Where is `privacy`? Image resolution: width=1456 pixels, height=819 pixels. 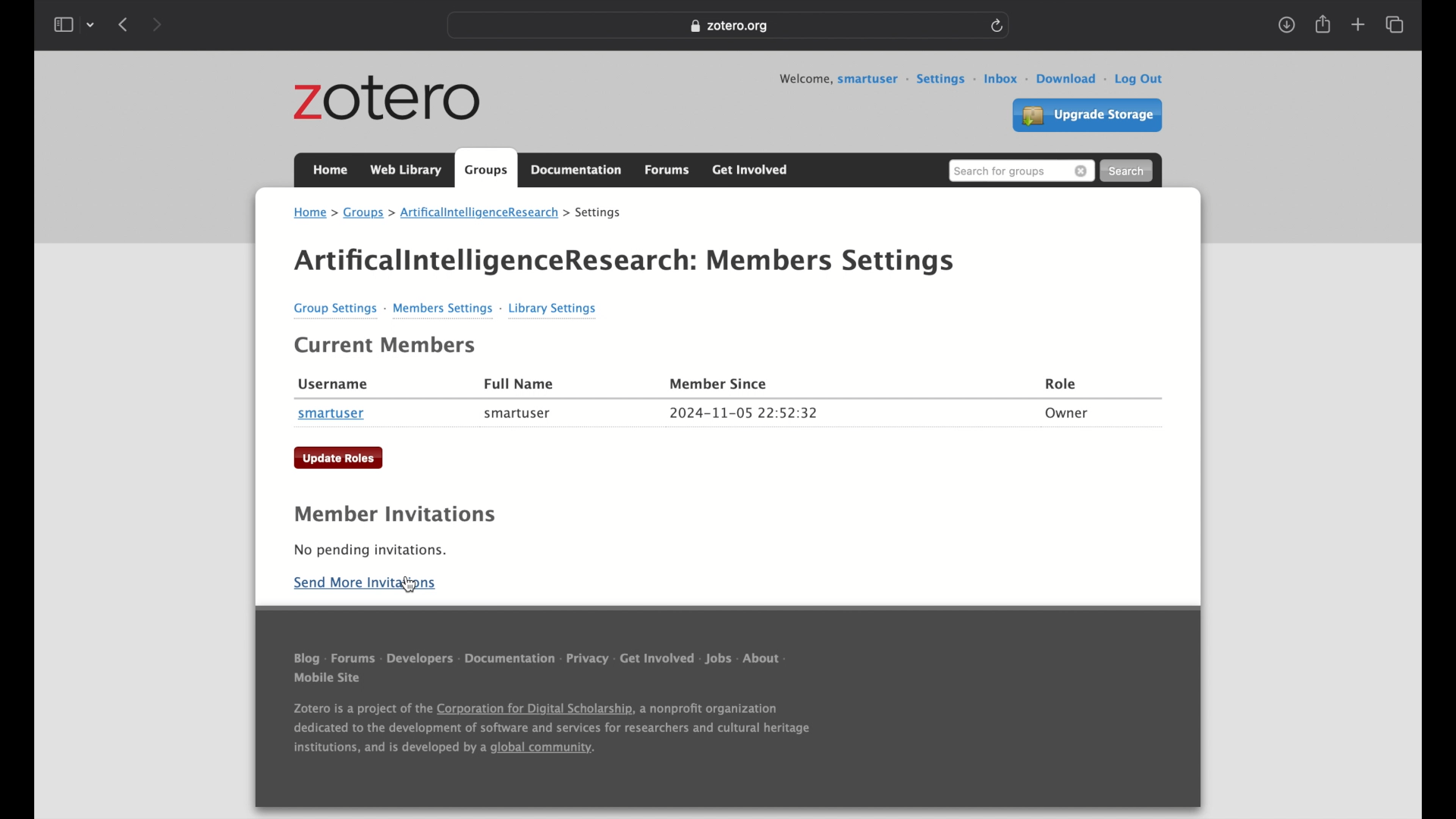 privacy is located at coordinates (588, 658).